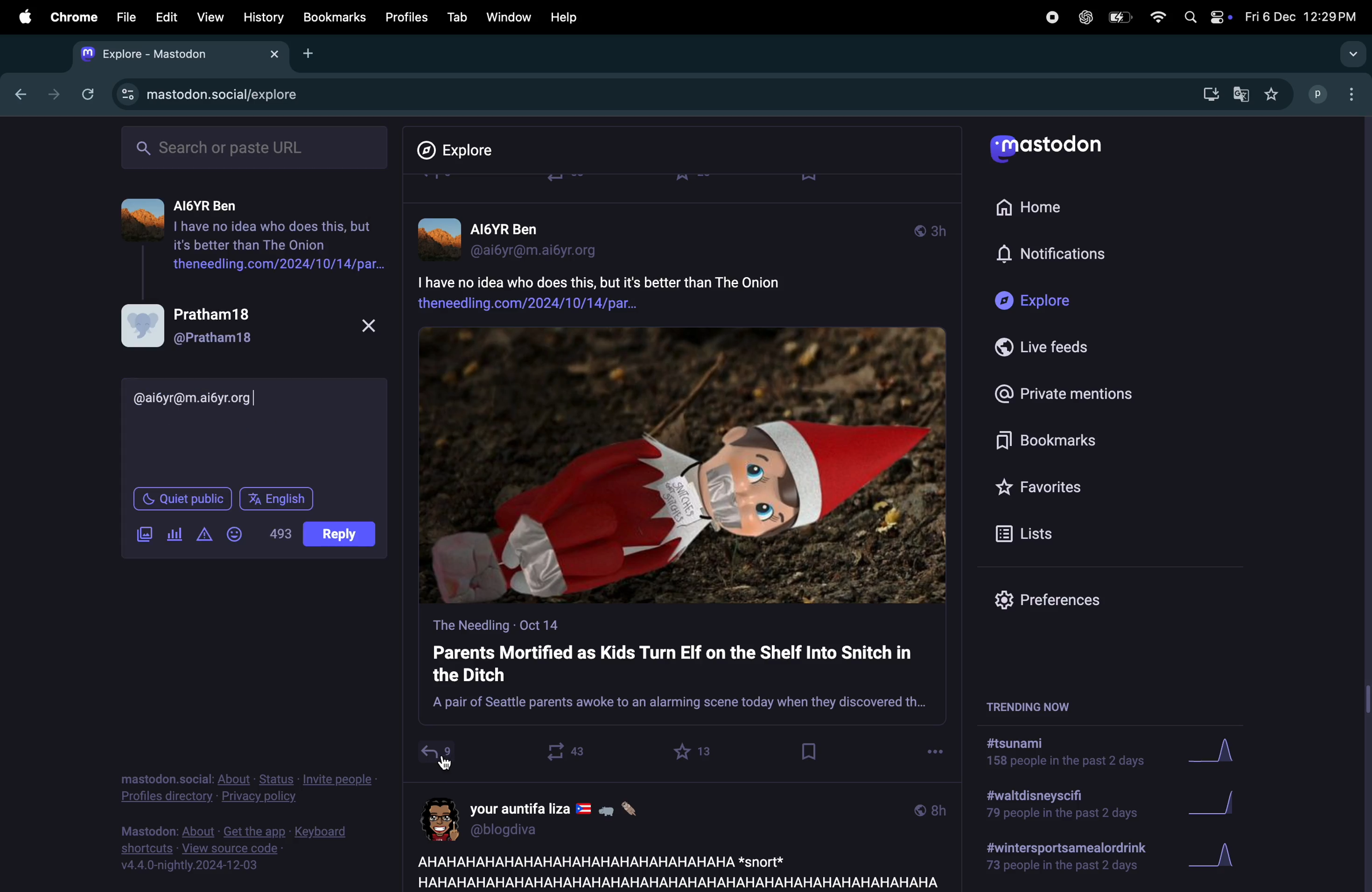  I want to click on profiles, so click(402, 17).